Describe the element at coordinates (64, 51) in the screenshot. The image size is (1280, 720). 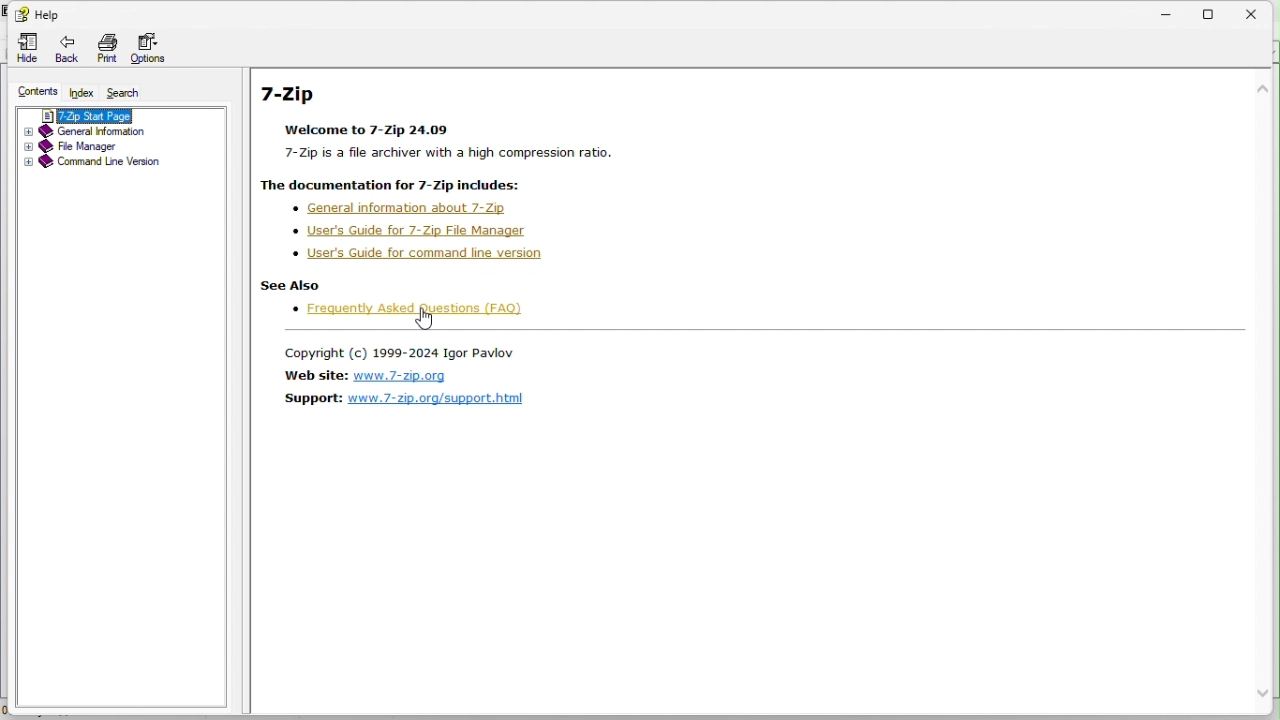
I see `back` at that location.